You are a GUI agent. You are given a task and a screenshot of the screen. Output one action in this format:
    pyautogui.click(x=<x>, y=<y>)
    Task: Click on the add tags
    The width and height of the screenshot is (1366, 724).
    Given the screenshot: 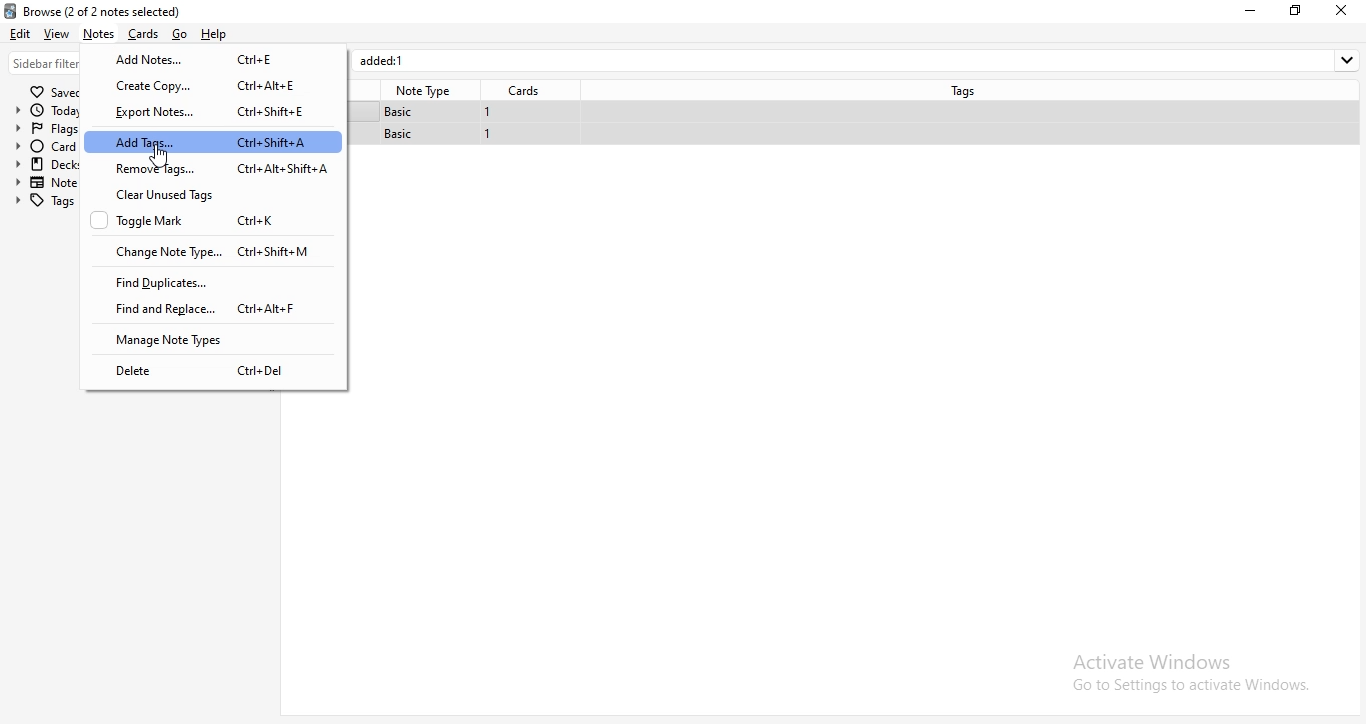 What is the action you would take?
    pyautogui.click(x=207, y=143)
    